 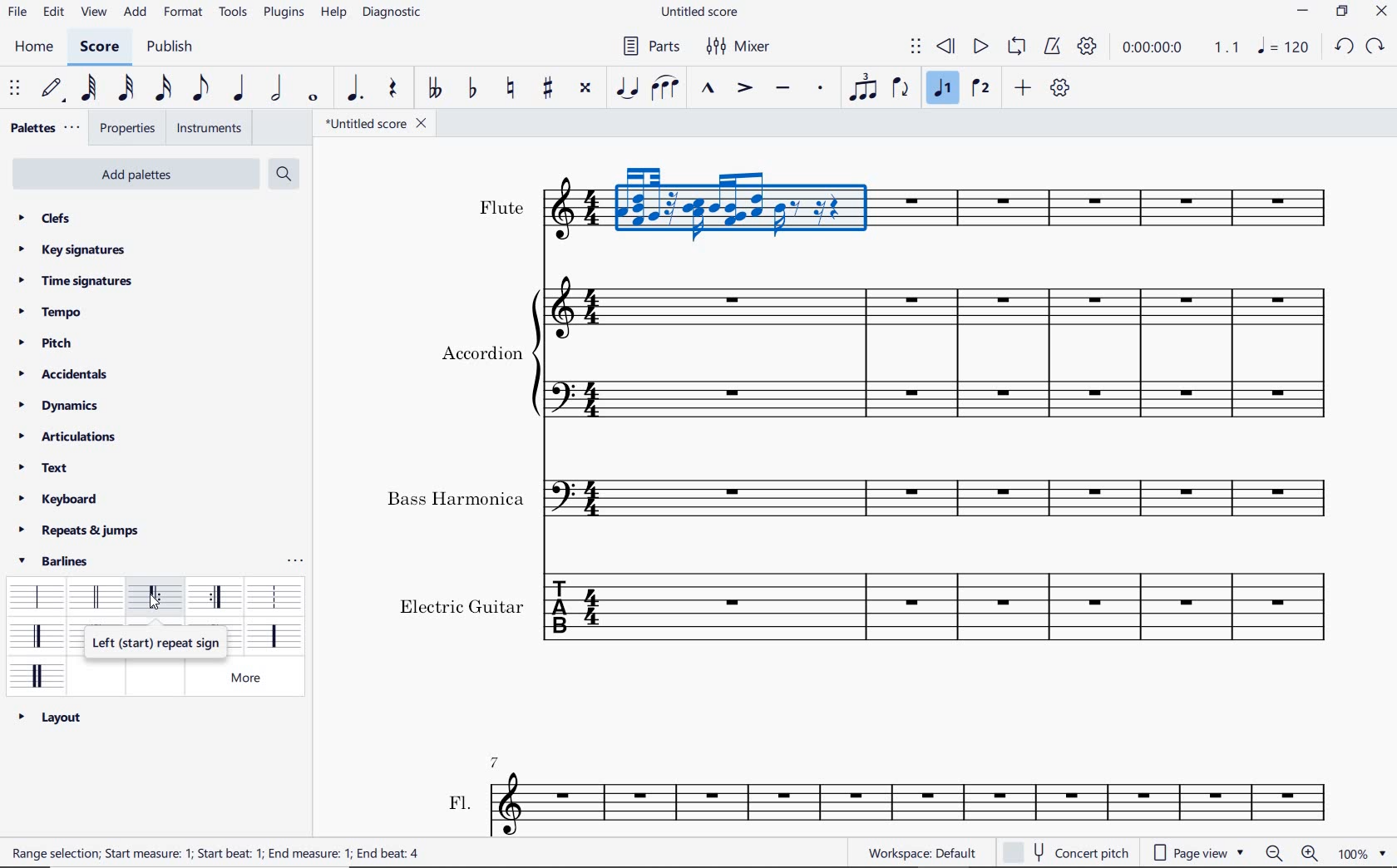 What do you see at coordinates (649, 49) in the screenshot?
I see `PARTS` at bounding box center [649, 49].